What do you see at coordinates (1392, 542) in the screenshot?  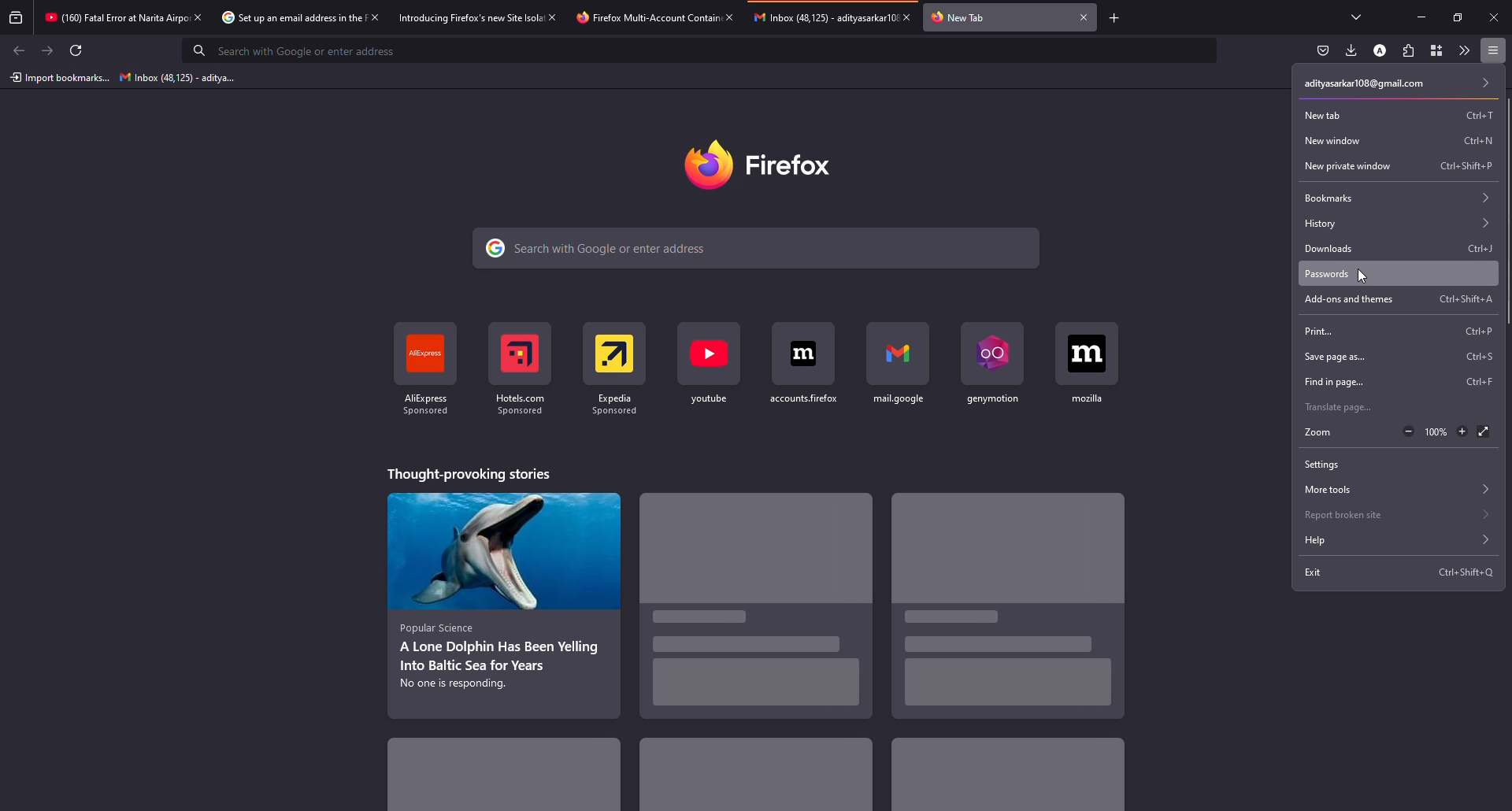 I see `help` at bounding box center [1392, 542].